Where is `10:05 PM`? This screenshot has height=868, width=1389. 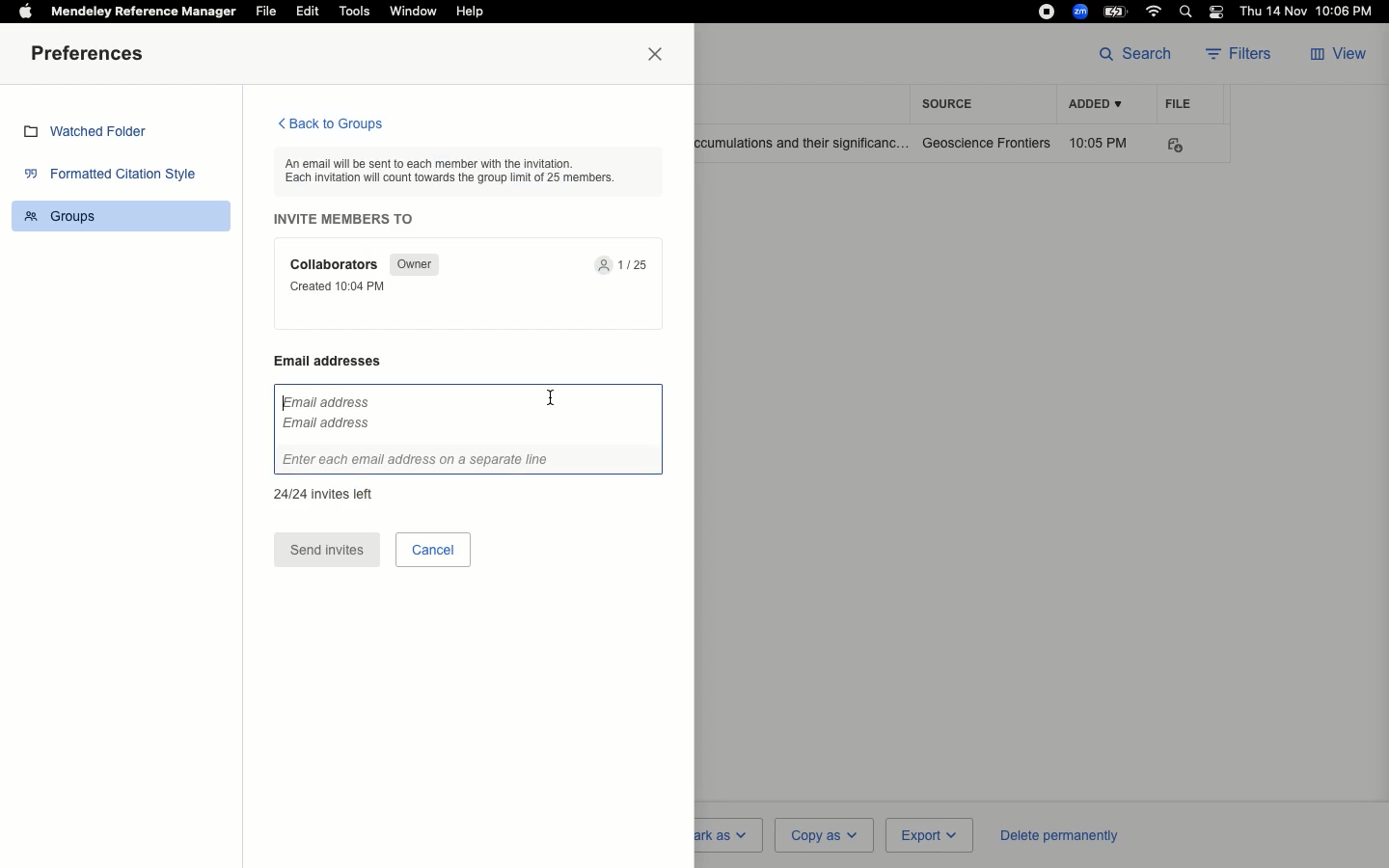
10:05 PM is located at coordinates (1102, 143).